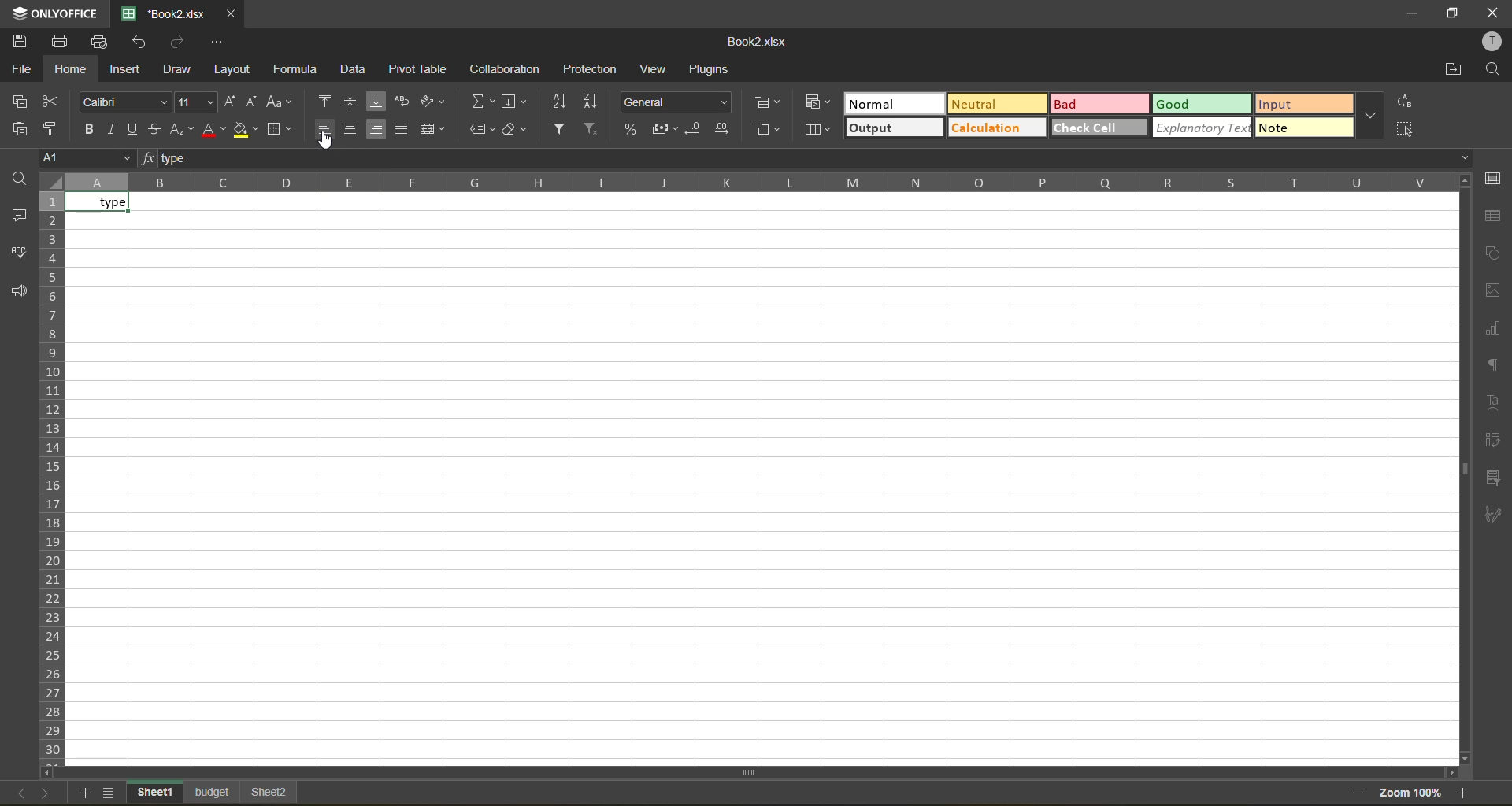  What do you see at coordinates (22, 104) in the screenshot?
I see `paste` at bounding box center [22, 104].